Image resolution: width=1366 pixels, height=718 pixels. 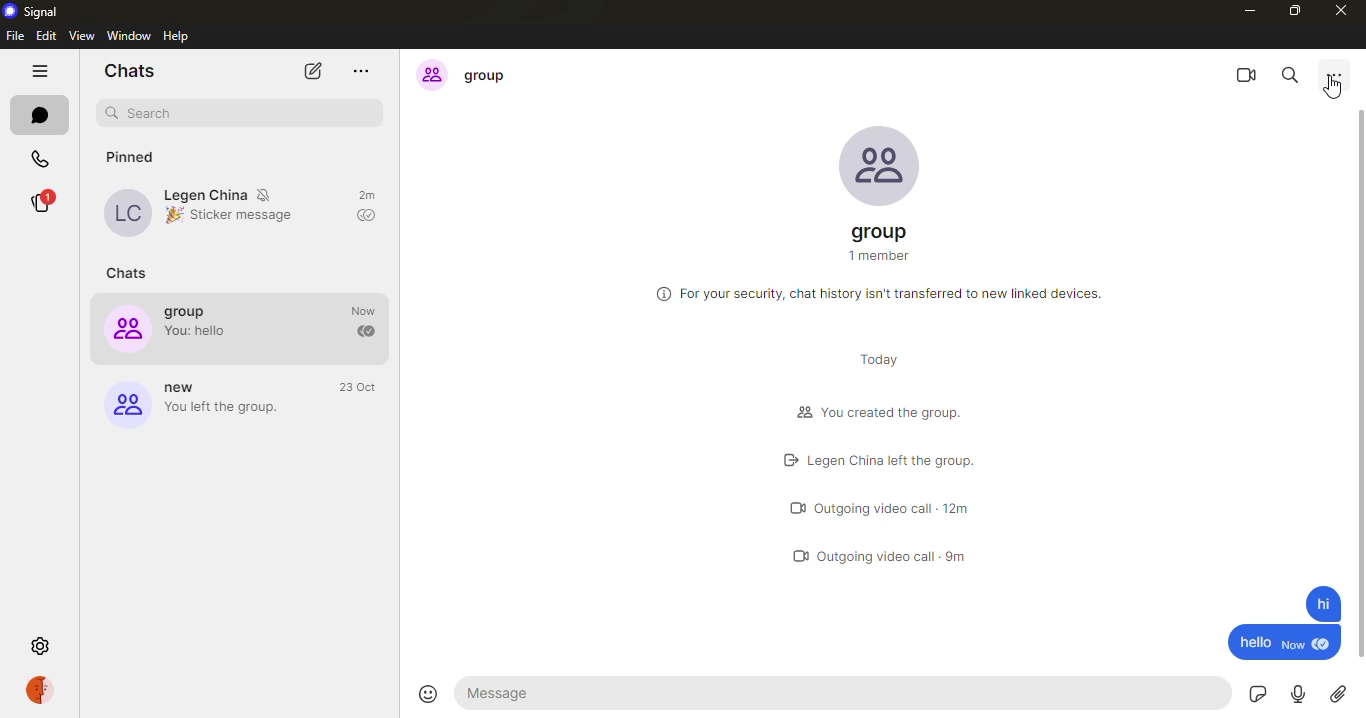 I want to click on message, so click(x=840, y=691).